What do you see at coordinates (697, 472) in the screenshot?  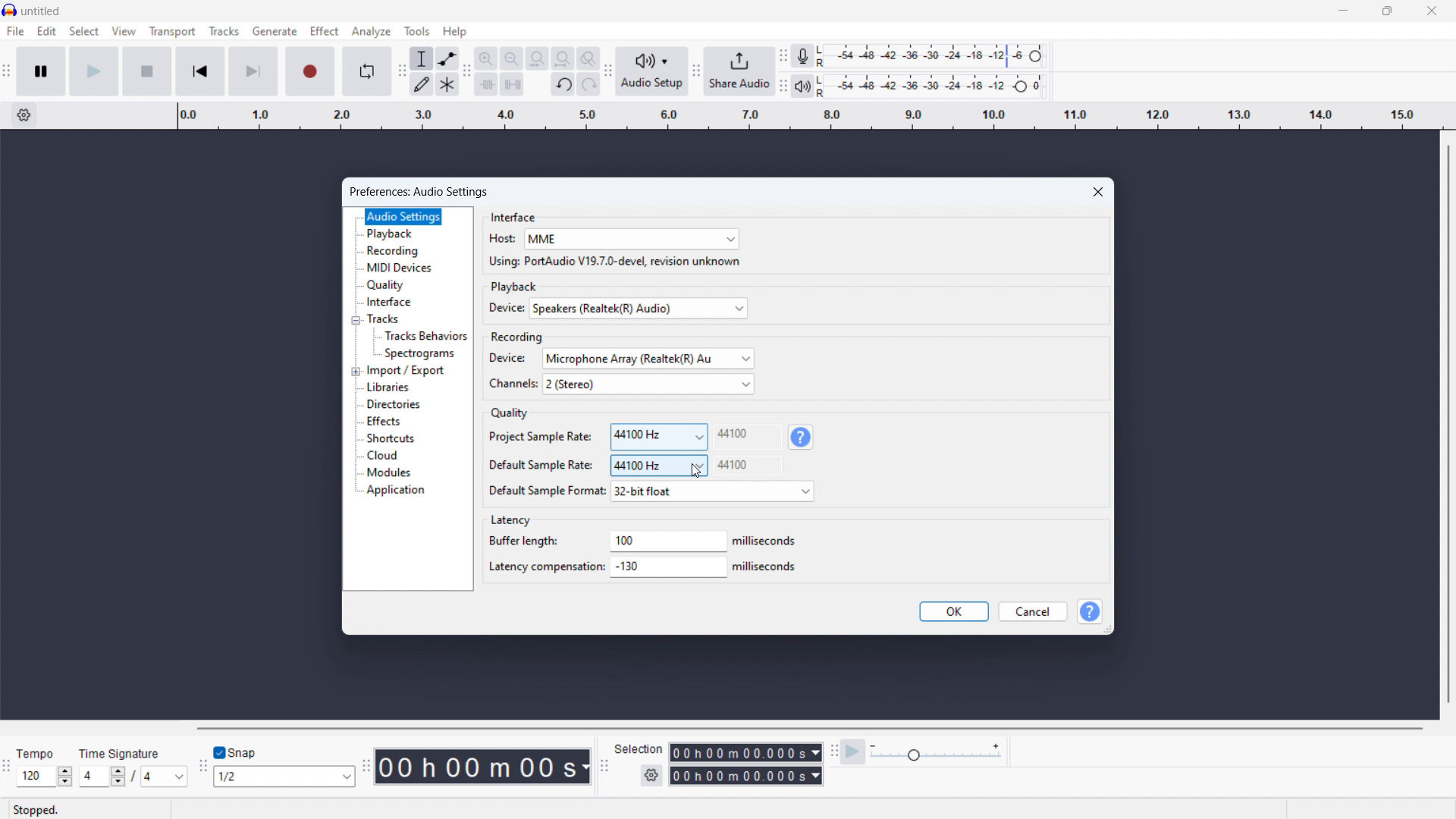 I see `cursor` at bounding box center [697, 472].